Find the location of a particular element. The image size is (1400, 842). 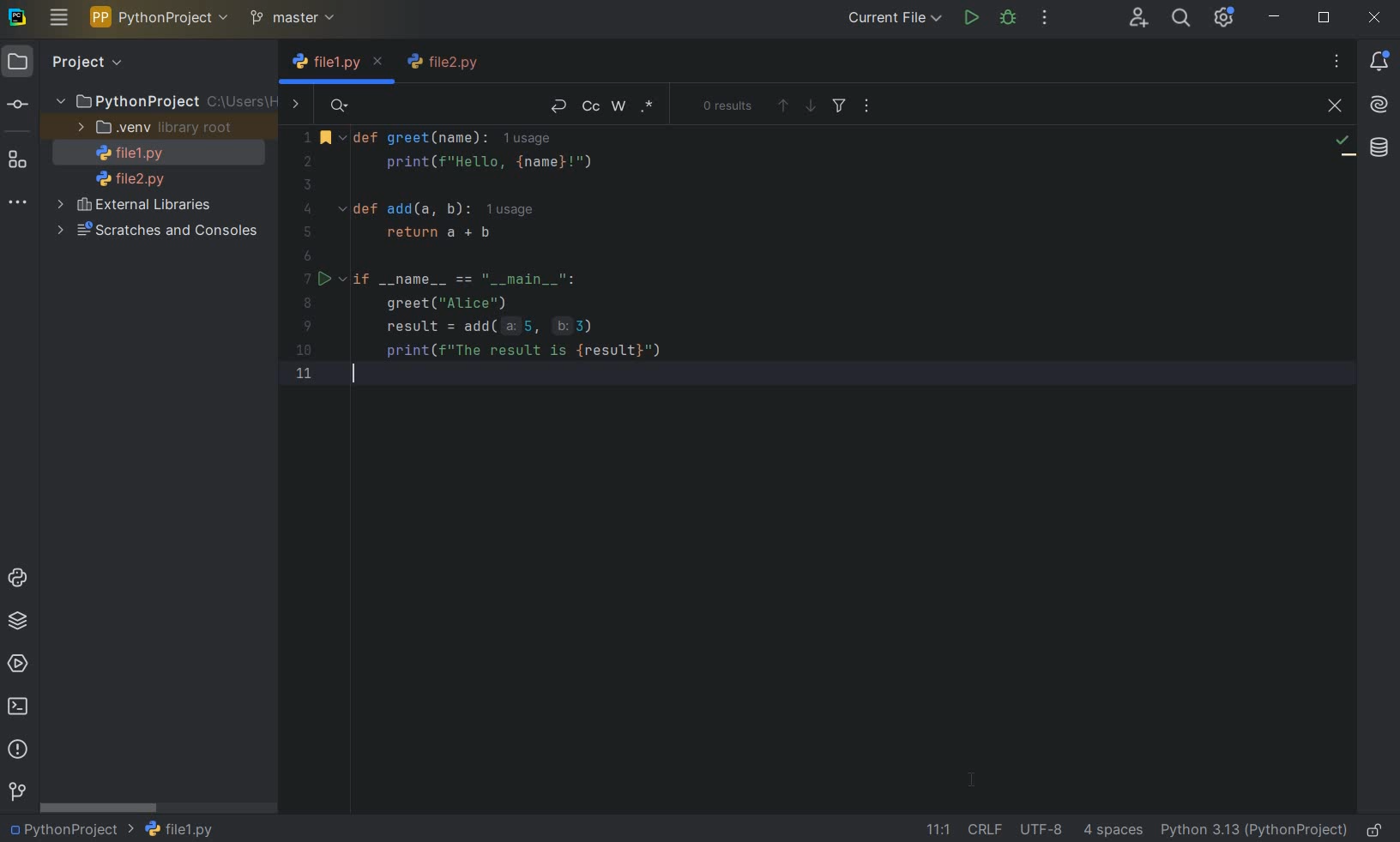

PYTHON PACKAGES is located at coordinates (22, 622).